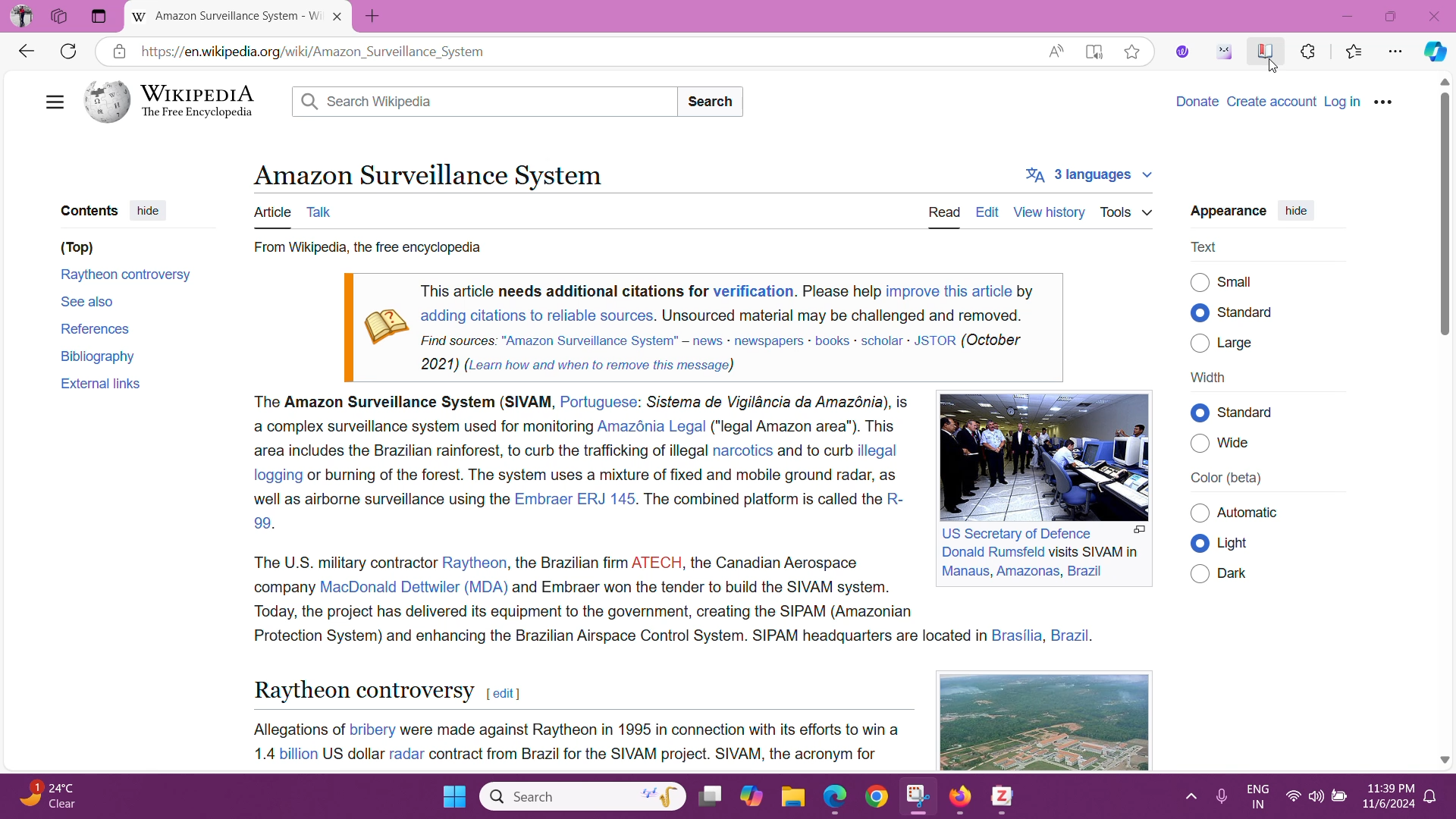 The image size is (1456, 819). I want to click on narcotics, so click(742, 450).